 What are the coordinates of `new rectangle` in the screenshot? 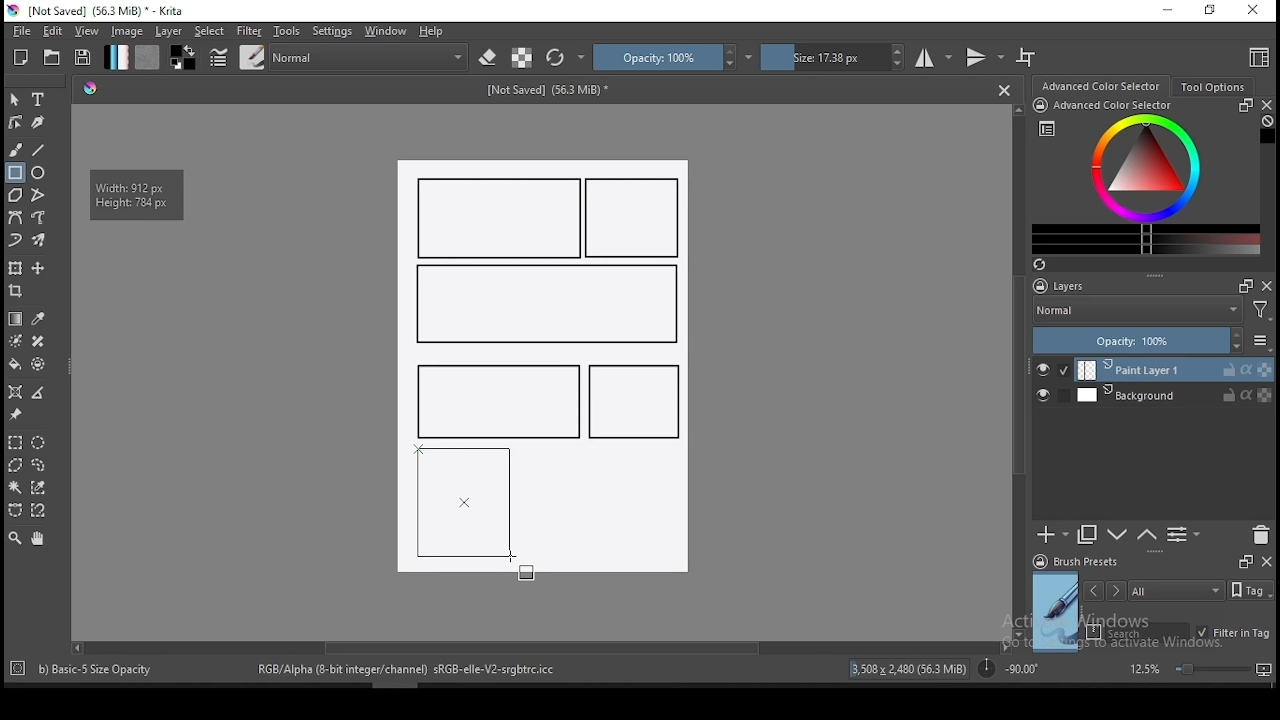 It's located at (500, 218).